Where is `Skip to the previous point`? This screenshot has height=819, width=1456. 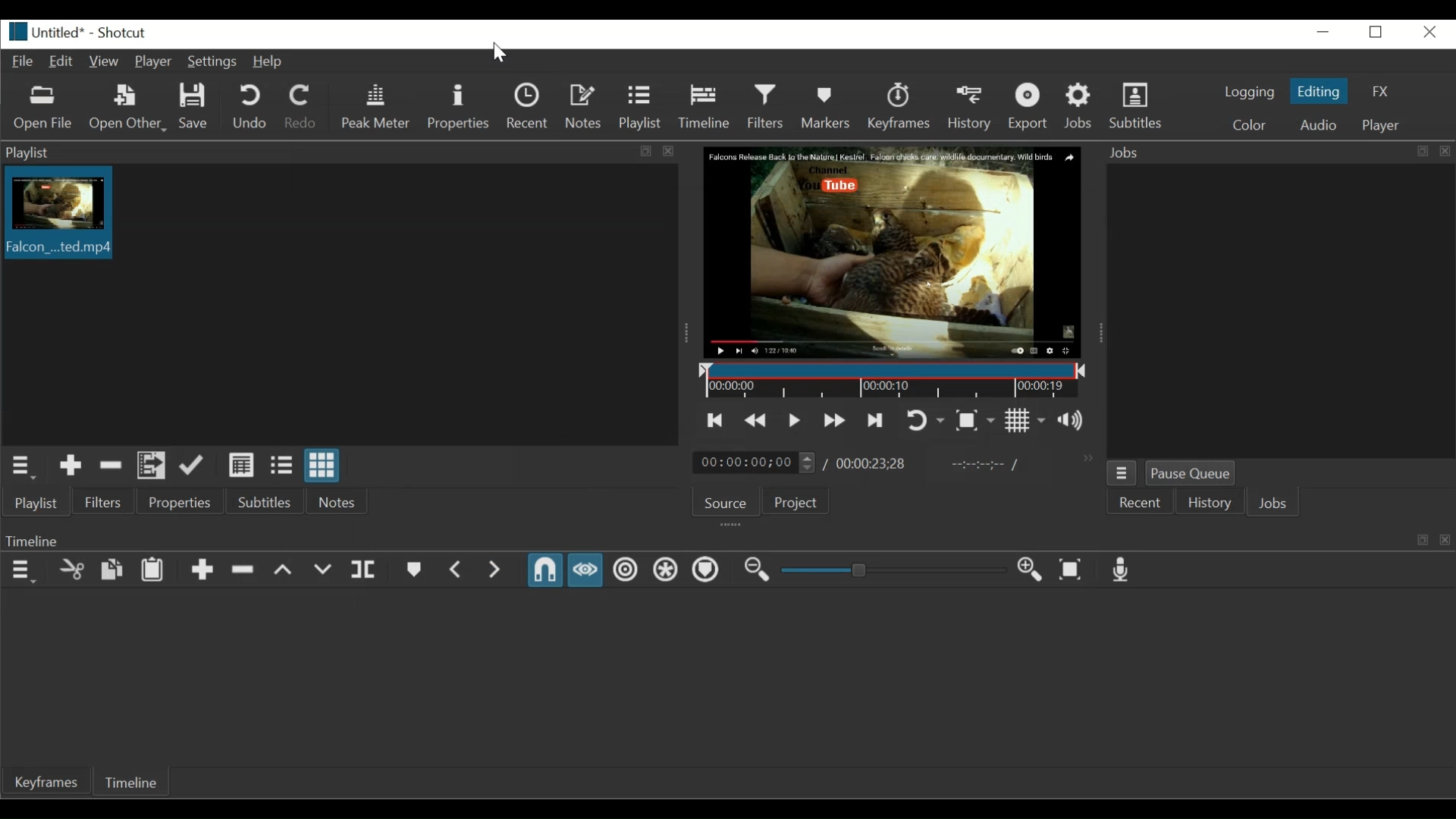 Skip to the previous point is located at coordinates (716, 420).